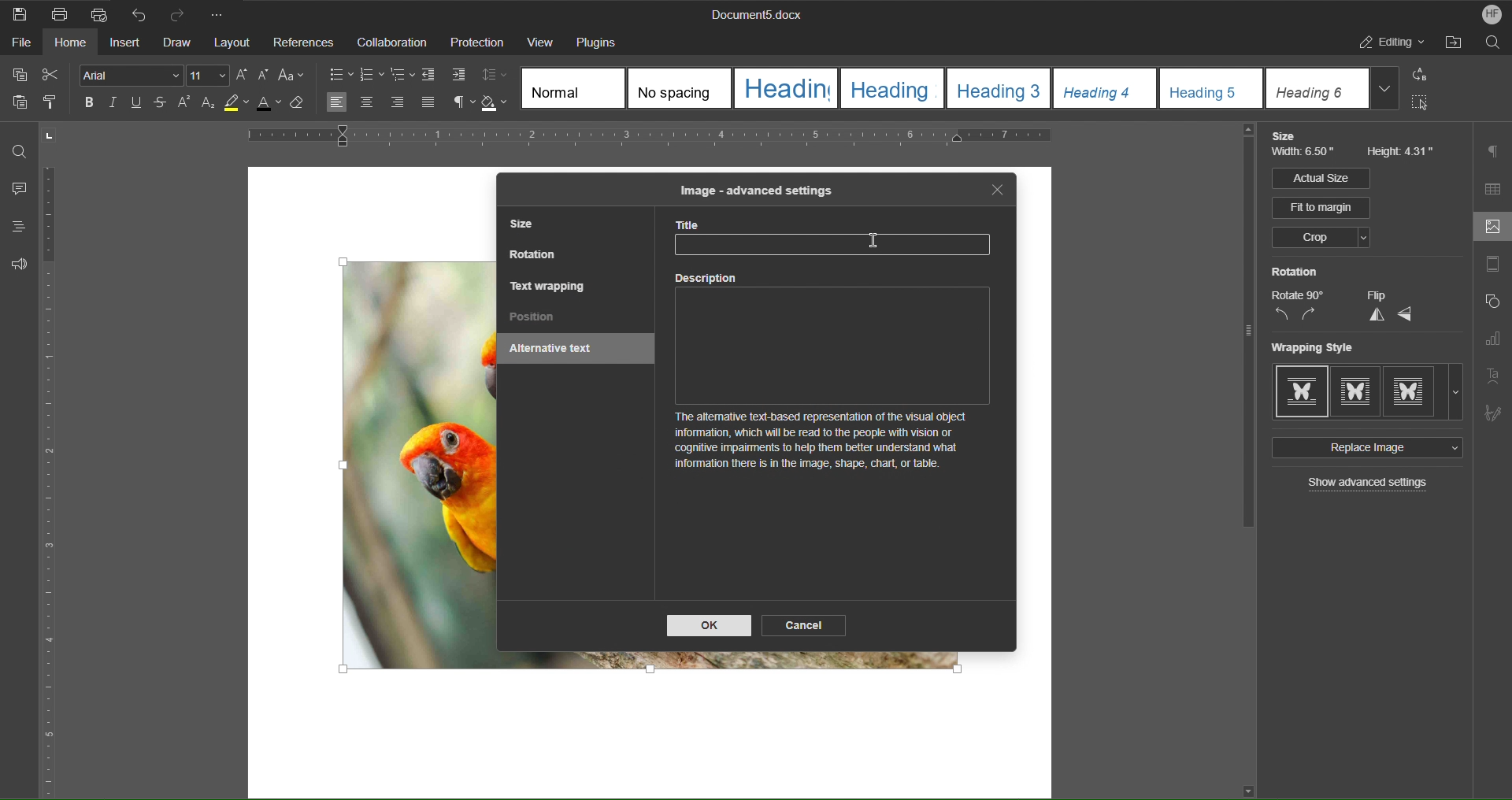 The image size is (1512, 800). Describe the element at coordinates (1492, 305) in the screenshot. I see `Shape Settings` at that location.